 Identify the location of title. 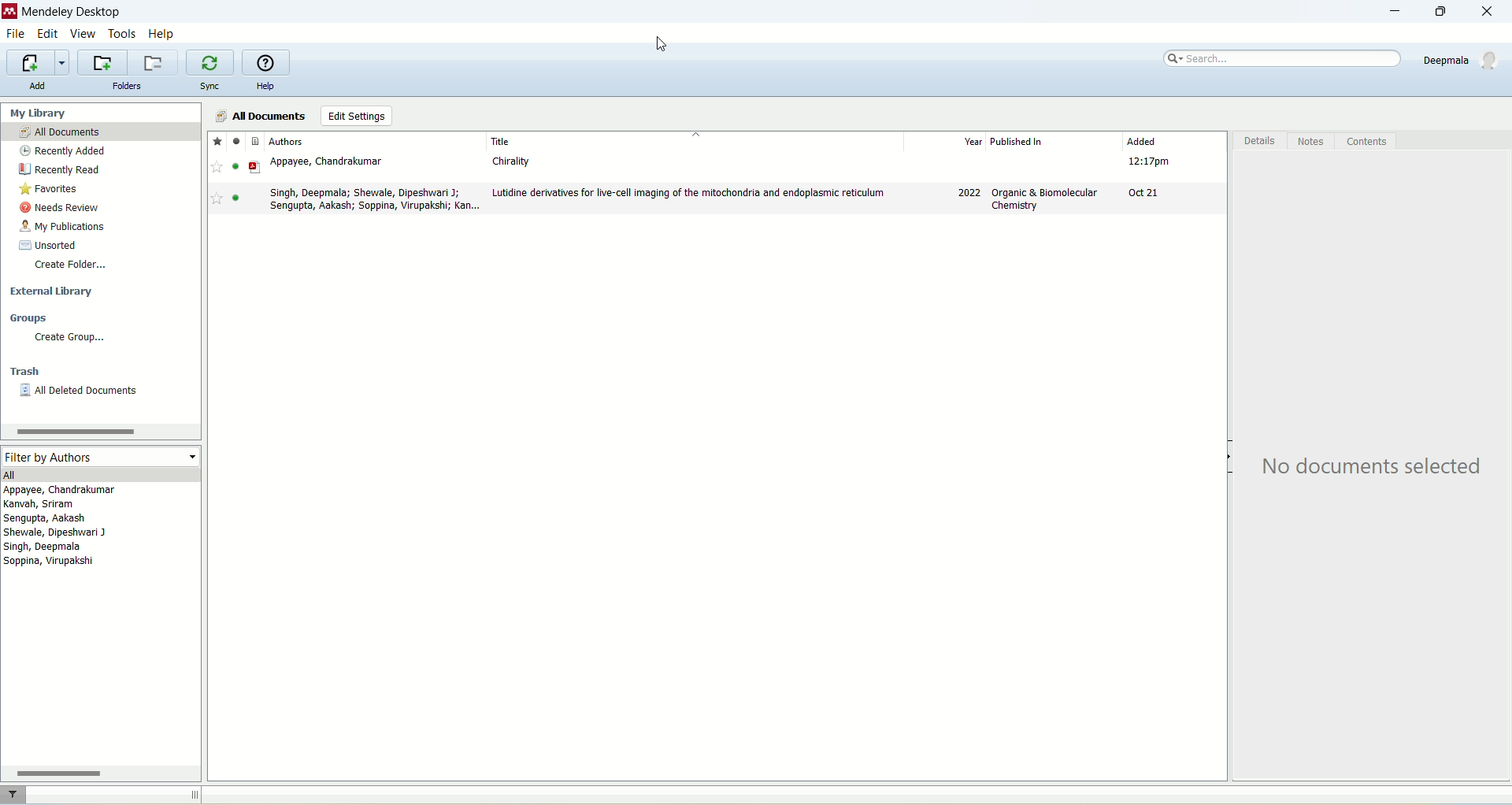
(691, 137).